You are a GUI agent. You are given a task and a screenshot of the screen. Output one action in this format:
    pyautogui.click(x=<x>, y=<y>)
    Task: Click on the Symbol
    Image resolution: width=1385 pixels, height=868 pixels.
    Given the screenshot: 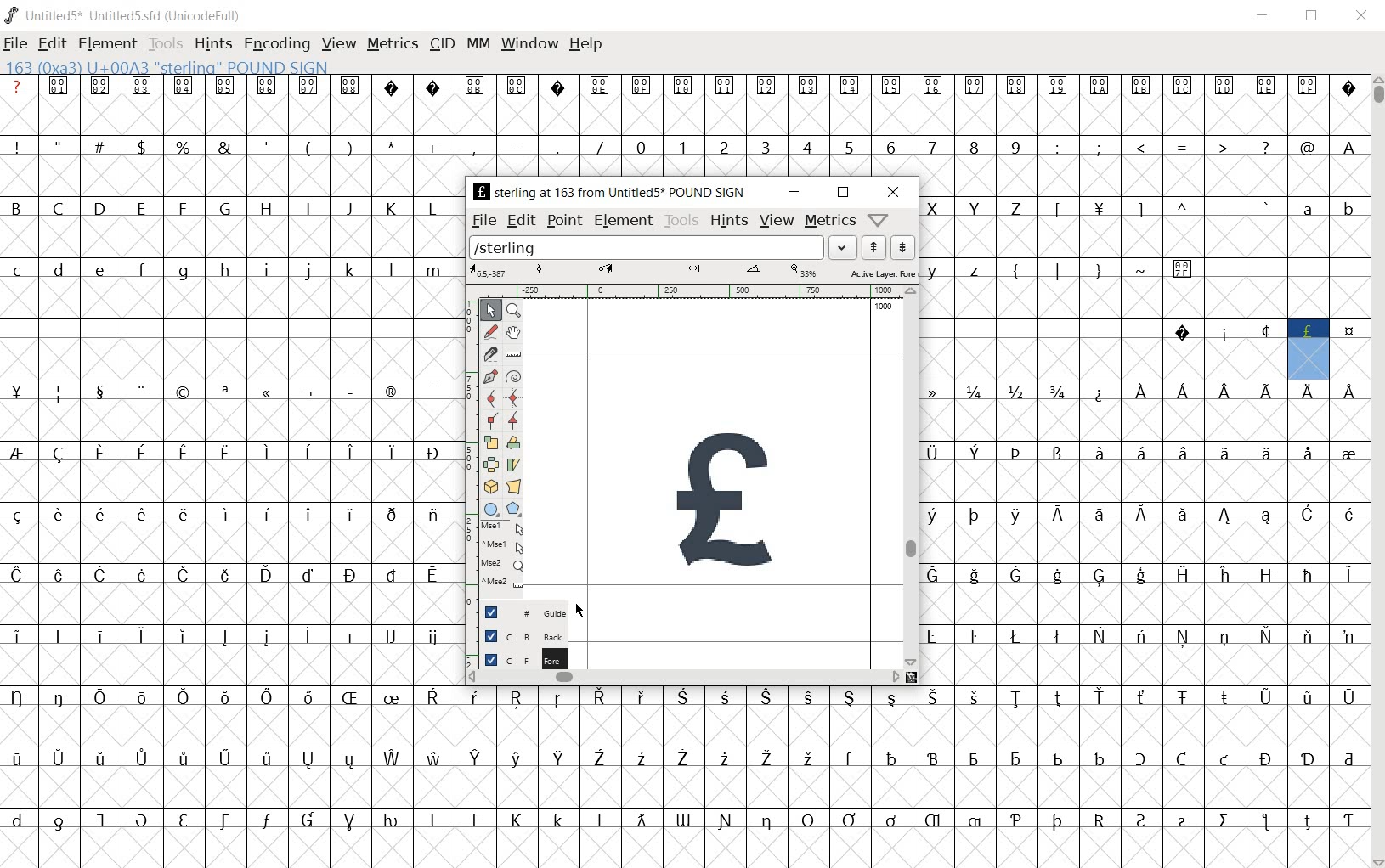 What is the action you would take?
    pyautogui.click(x=1098, y=516)
    